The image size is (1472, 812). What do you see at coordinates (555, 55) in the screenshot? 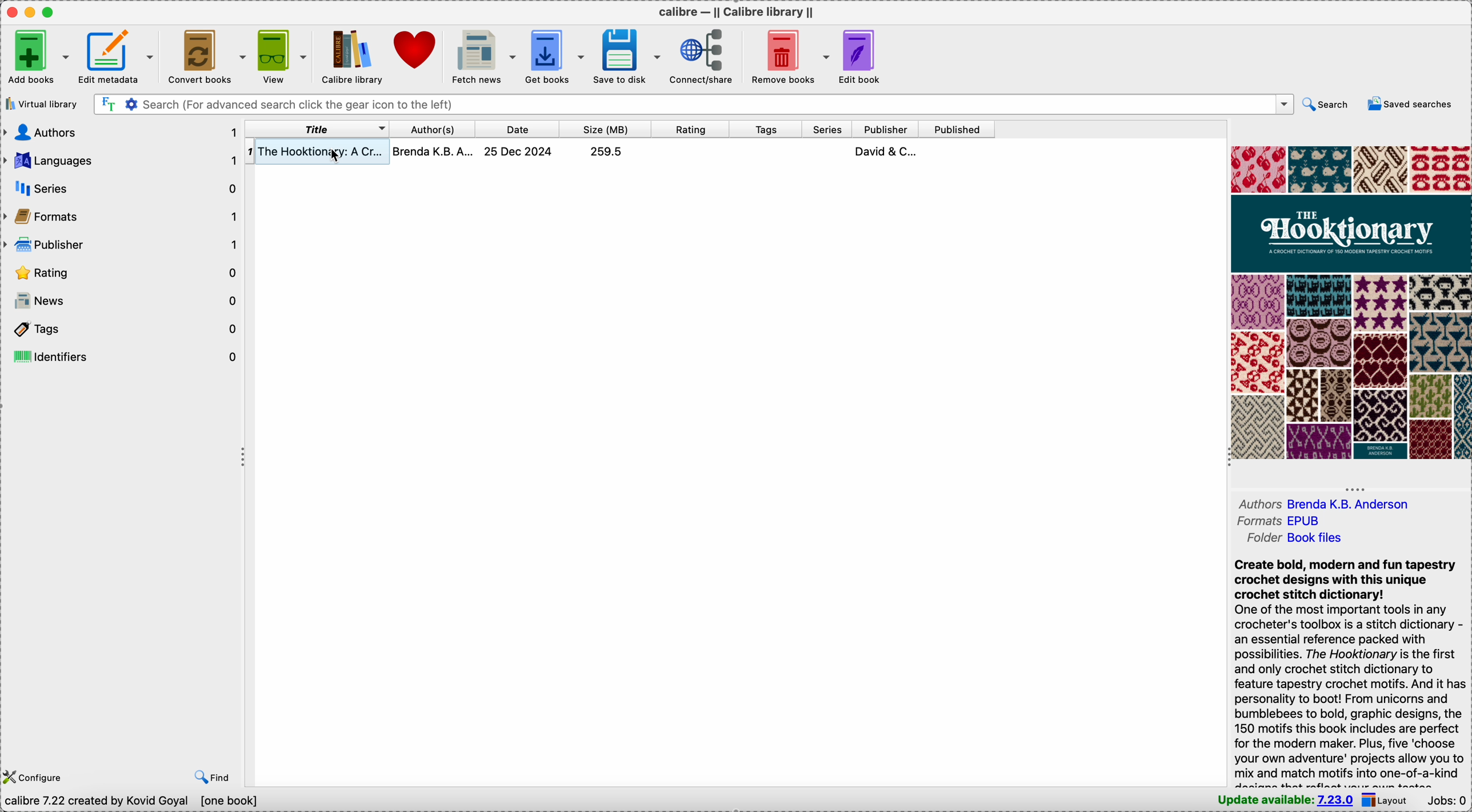
I see `get books` at bounding box center [555, 55].